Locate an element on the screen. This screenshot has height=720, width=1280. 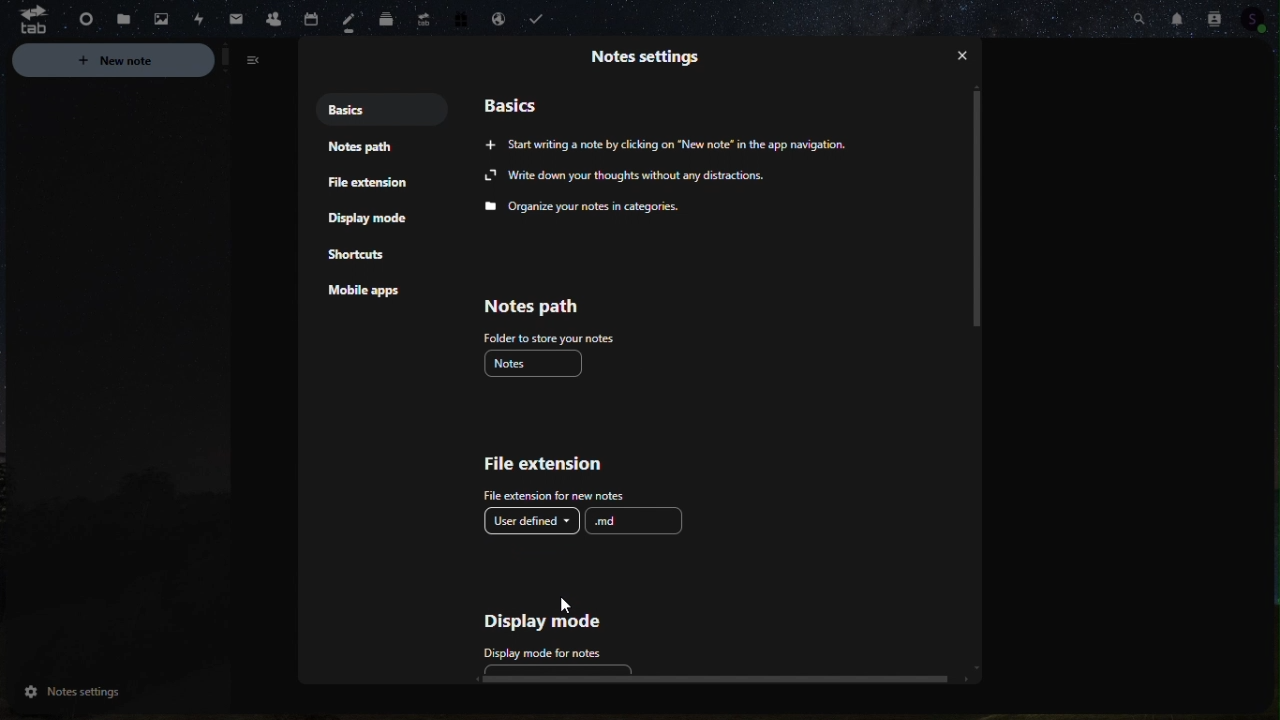
horizontal scroll bar is located at coordinates (705, 681).